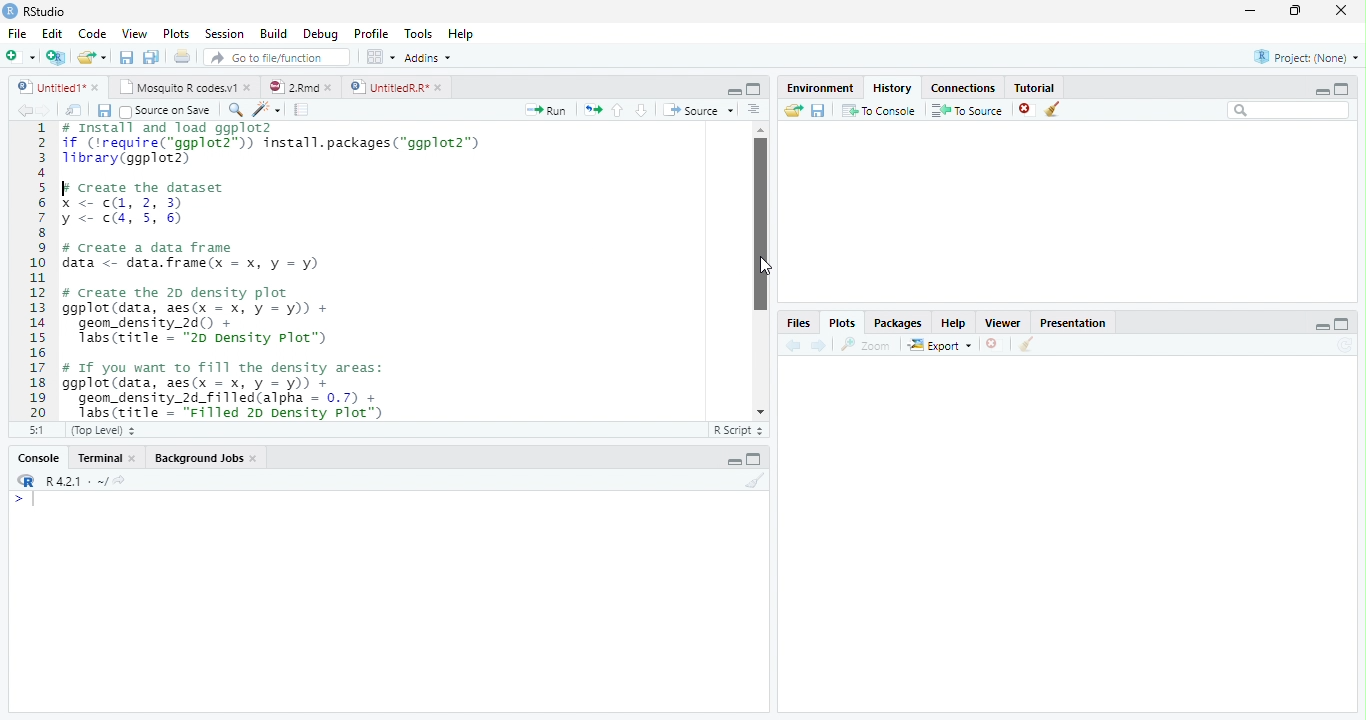  Describe the element at coordinates (641, 110) in the screenshot. I see `down` at that location.